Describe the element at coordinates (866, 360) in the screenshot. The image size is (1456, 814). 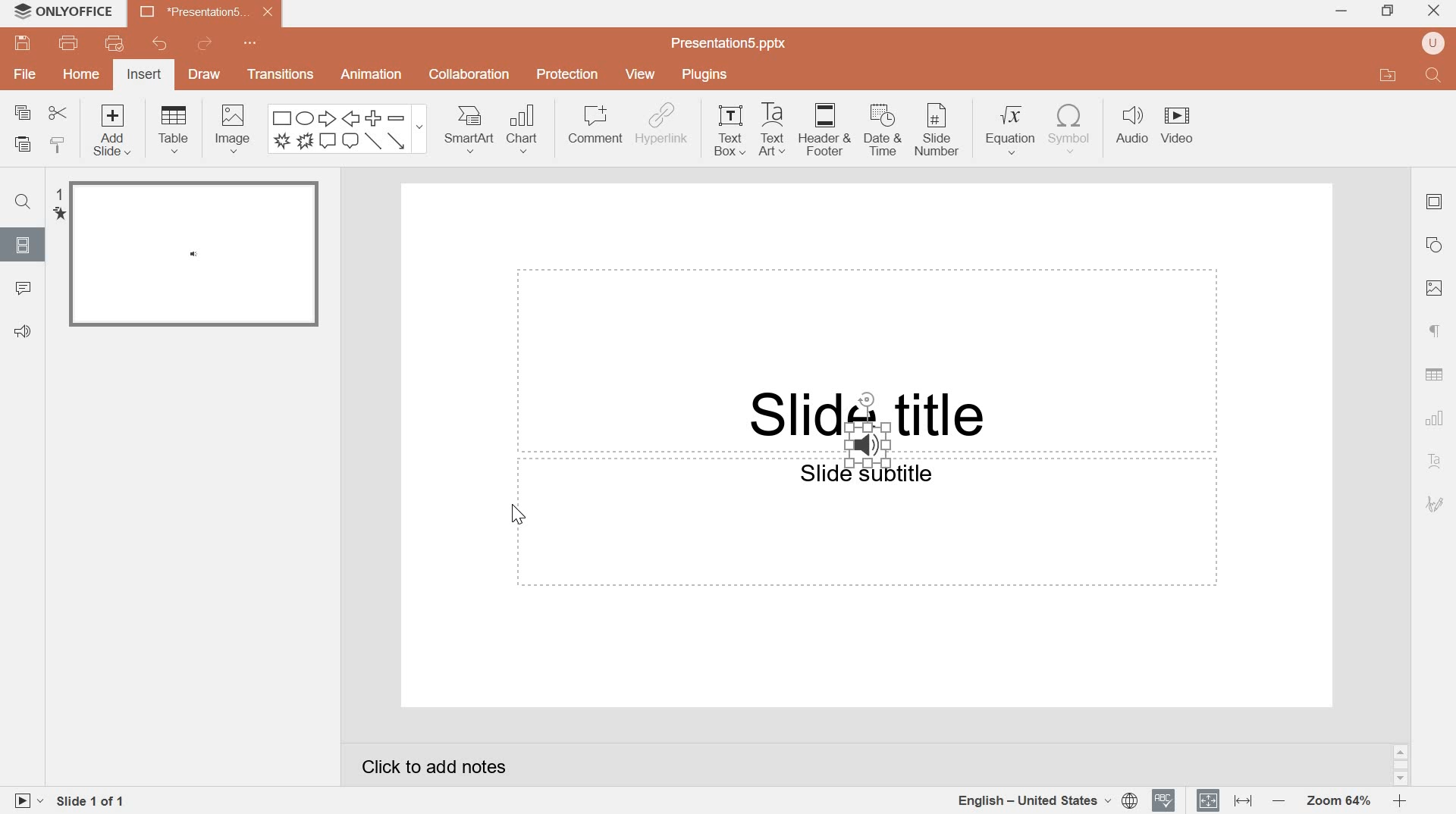
I see `Text field` at that location.